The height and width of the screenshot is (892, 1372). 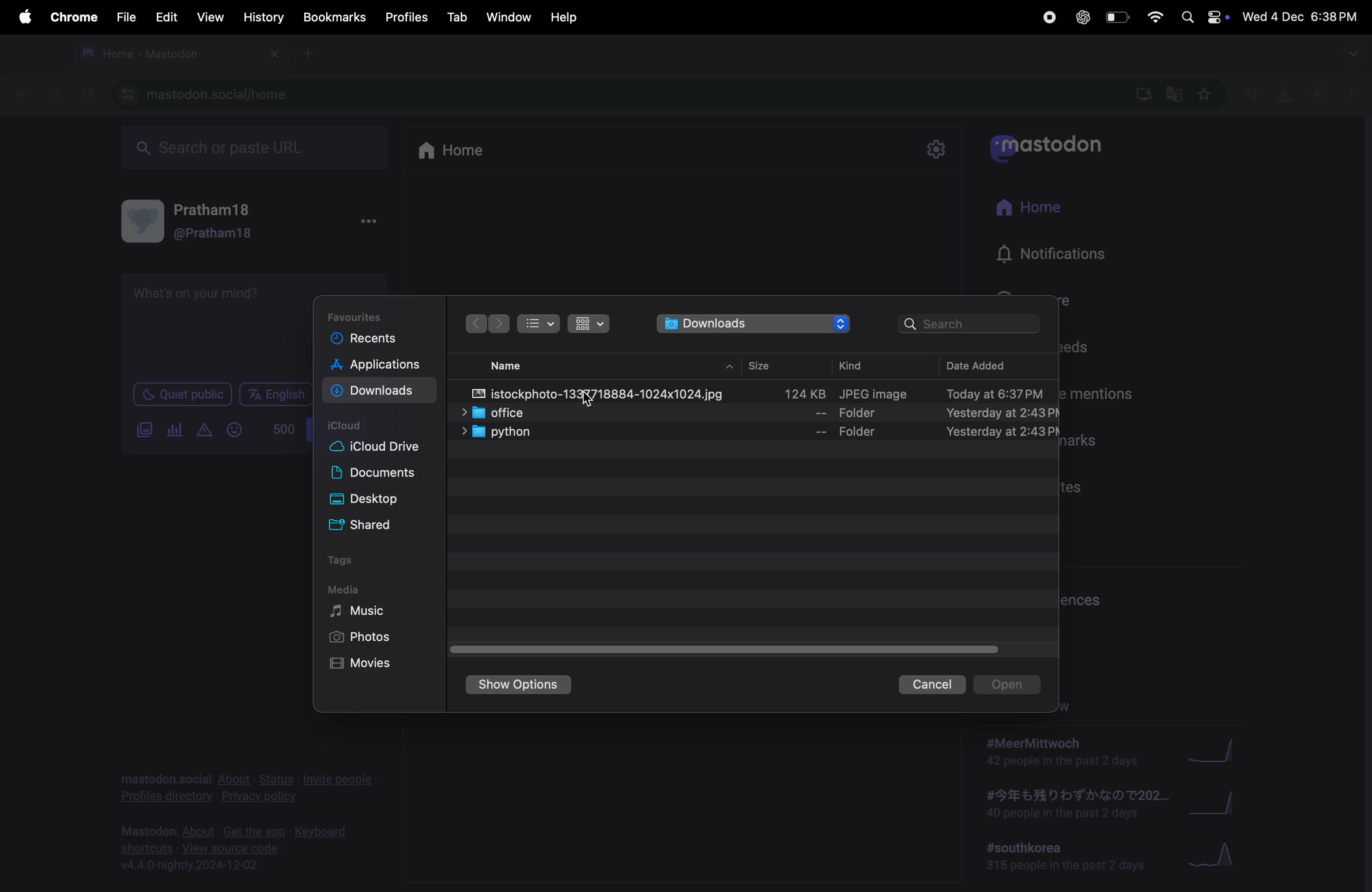 What do you see at coordinates (381, 500) in the screenshot?
I see `desktop` at bounding box center [381, 500].